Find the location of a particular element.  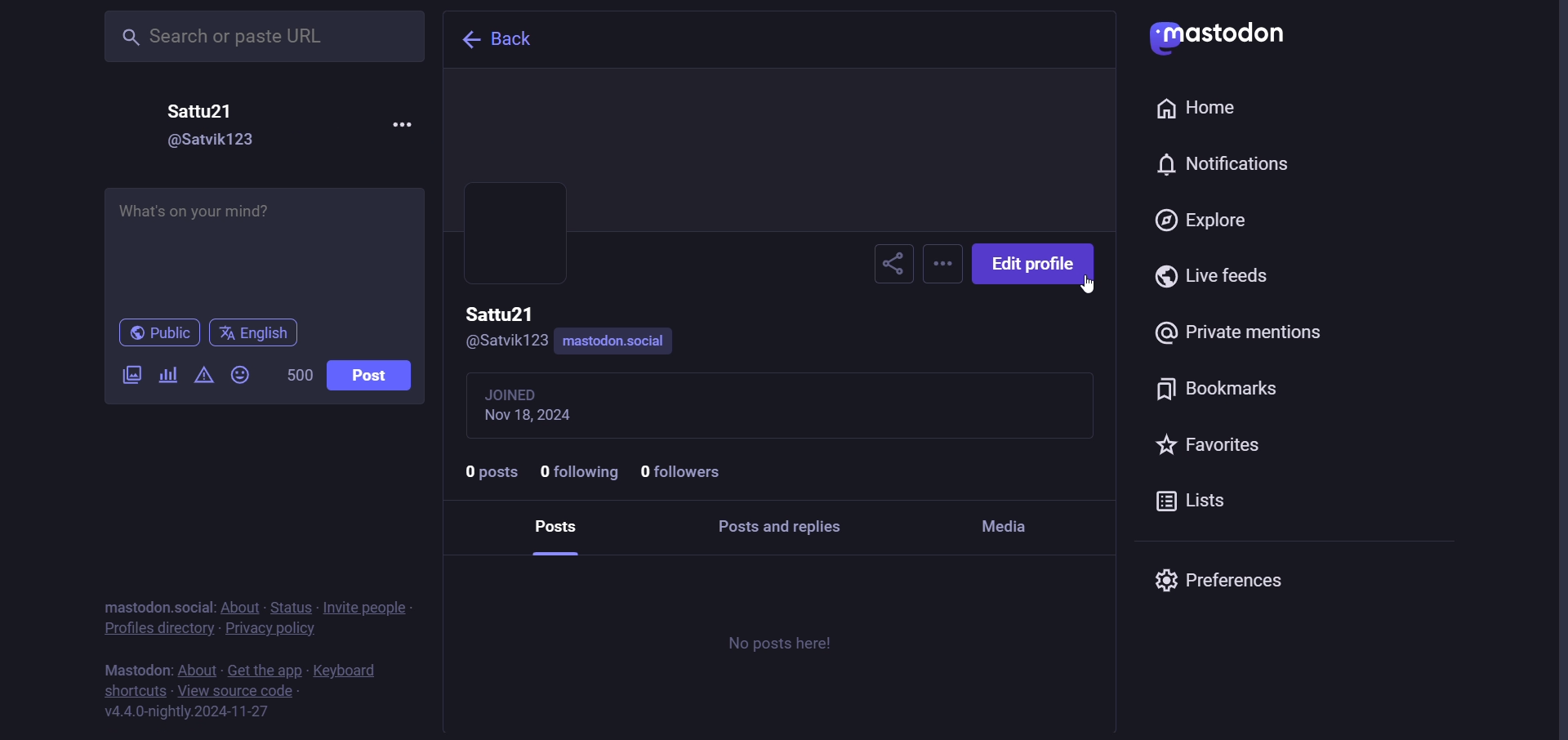

explore is located at coordinates (1205, 221).